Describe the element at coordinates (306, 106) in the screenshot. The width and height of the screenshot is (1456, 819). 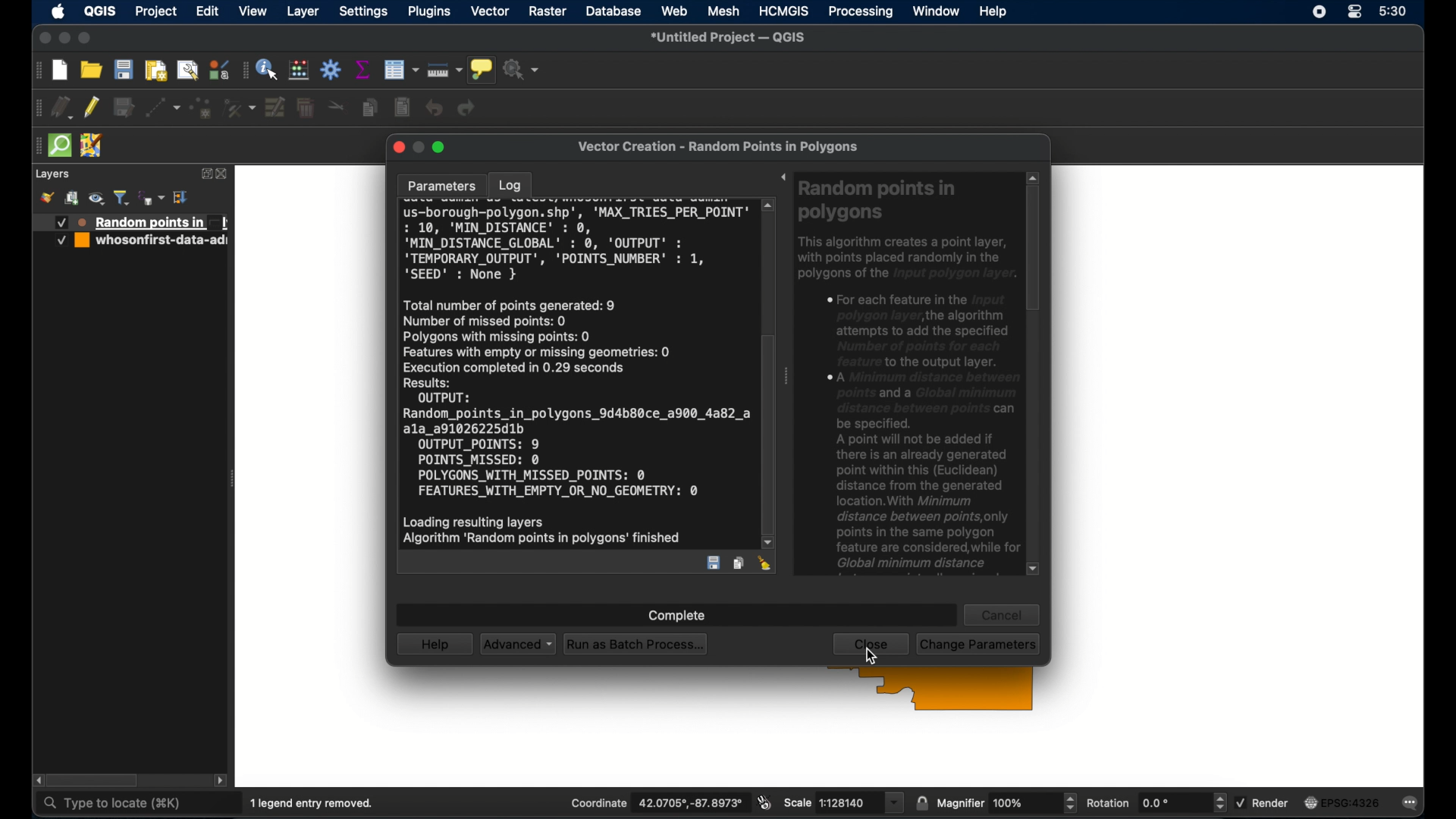
I see `delete selected` at that location.